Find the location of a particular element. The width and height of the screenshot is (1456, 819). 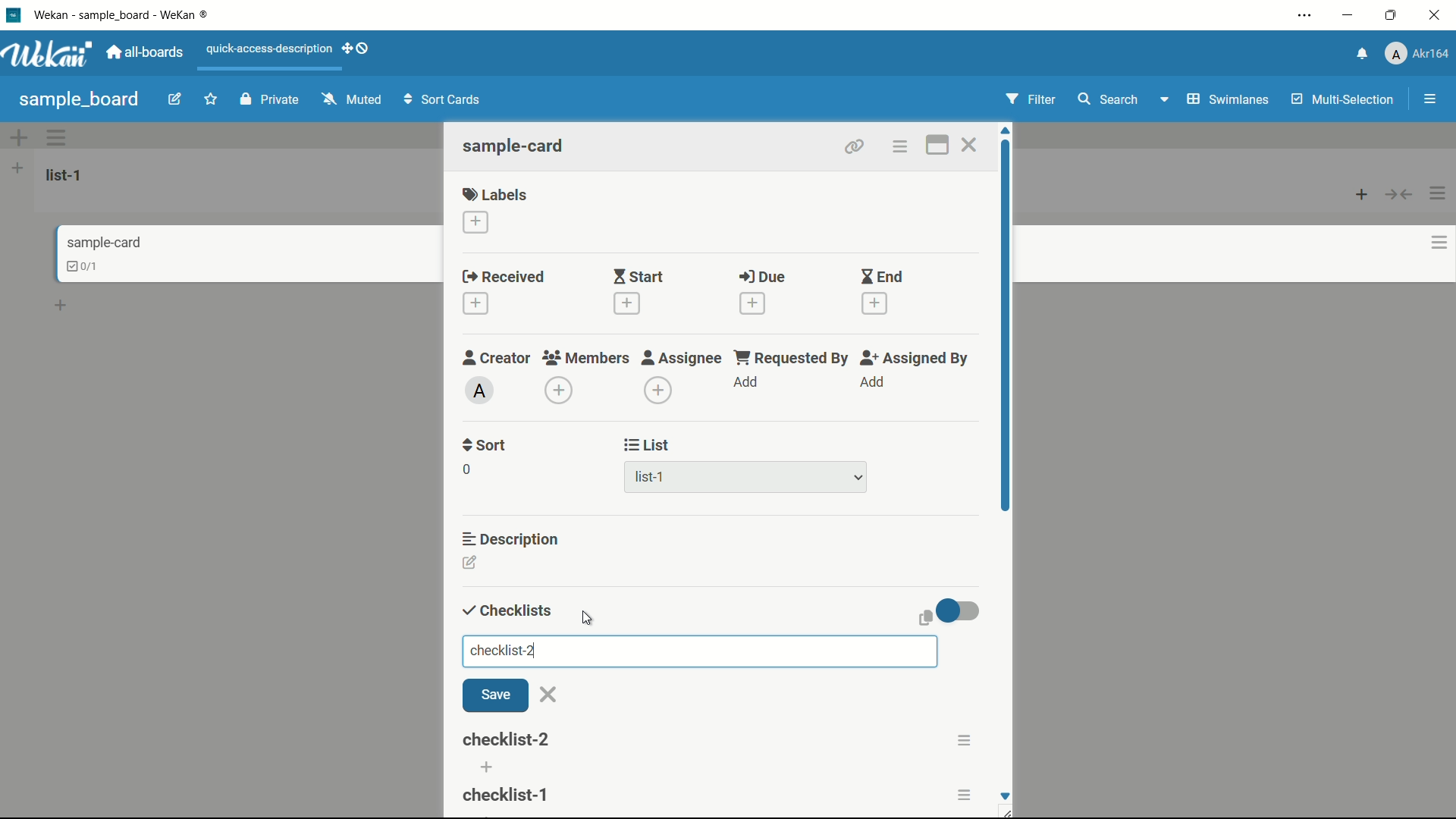

card actions is located at coordinates (899, 147).